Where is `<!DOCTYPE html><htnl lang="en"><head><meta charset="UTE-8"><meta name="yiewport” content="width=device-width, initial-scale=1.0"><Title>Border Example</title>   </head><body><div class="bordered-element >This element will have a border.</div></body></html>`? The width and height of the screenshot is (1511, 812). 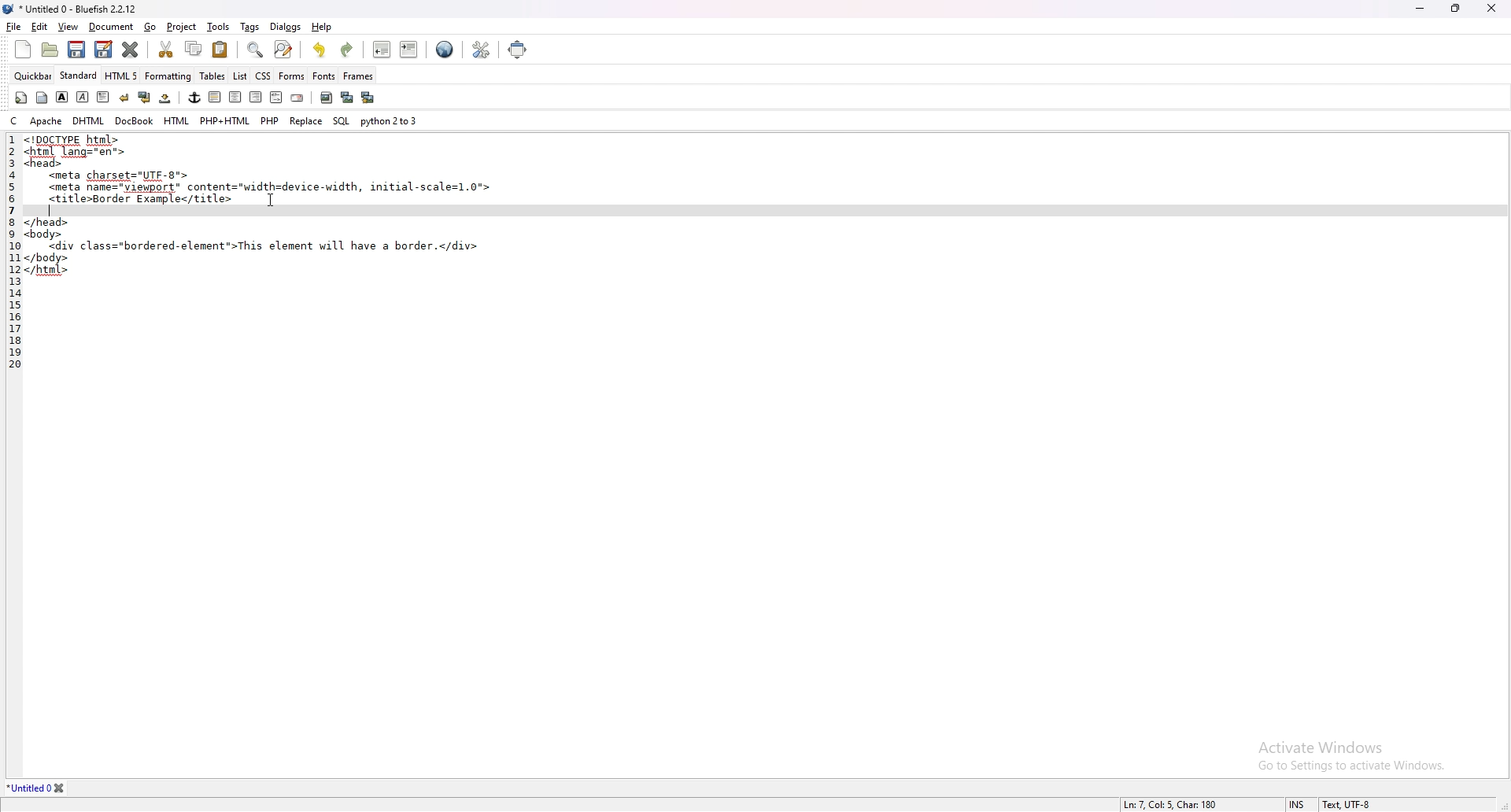 <!DOCTYPE html><htnl lang="en"><head><meta charset="UTE-8"><meta name="yiewport” content="width=device-width, initial-scale=1.0"><Title>Border Example</title>   </head><body><div class="bordered-element >This element will have a border.</div></body></html> is located at coordinates (262, 209).